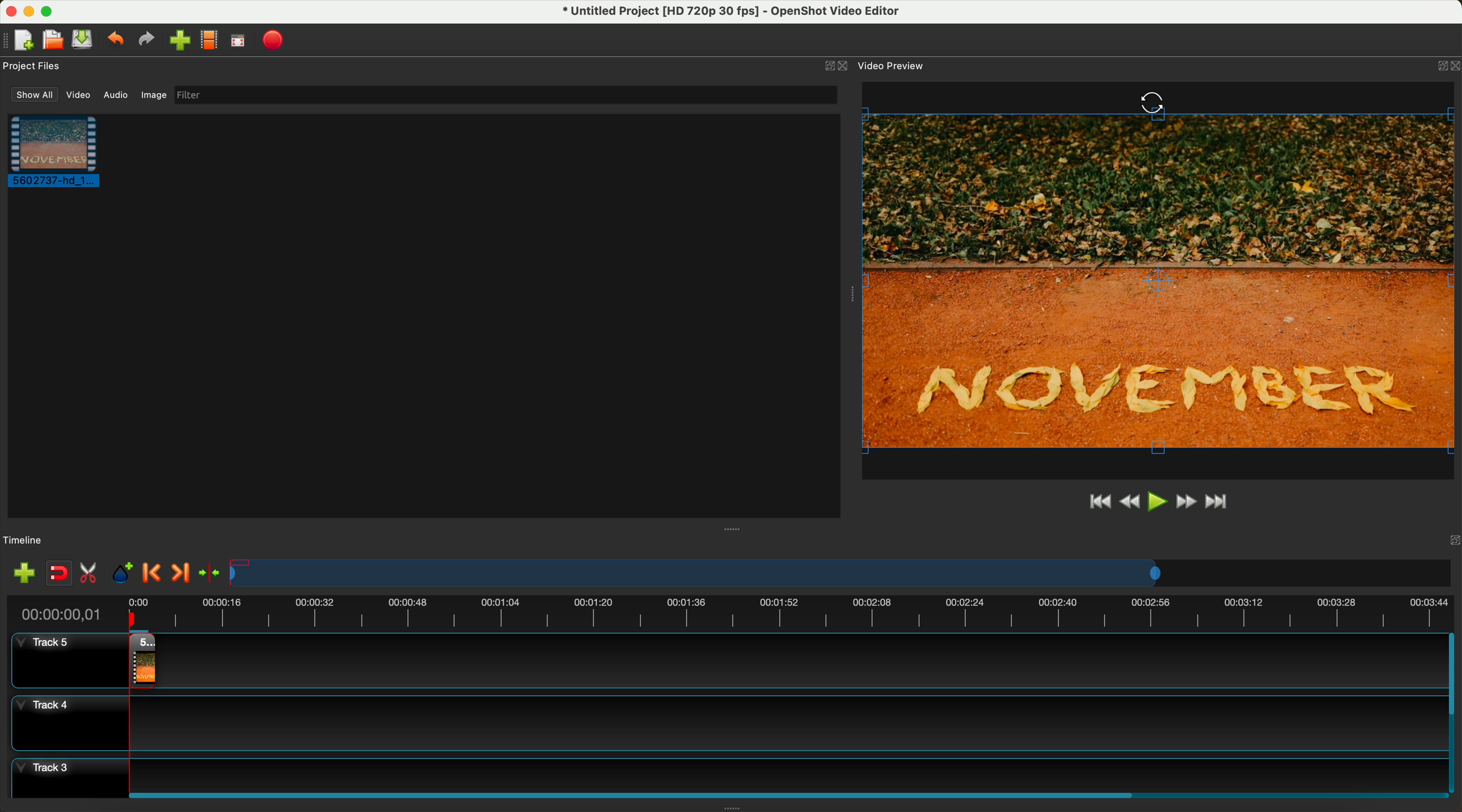  Describe the element at coordinates (725, 772) in the screenshot. I see `track 3` at that location.